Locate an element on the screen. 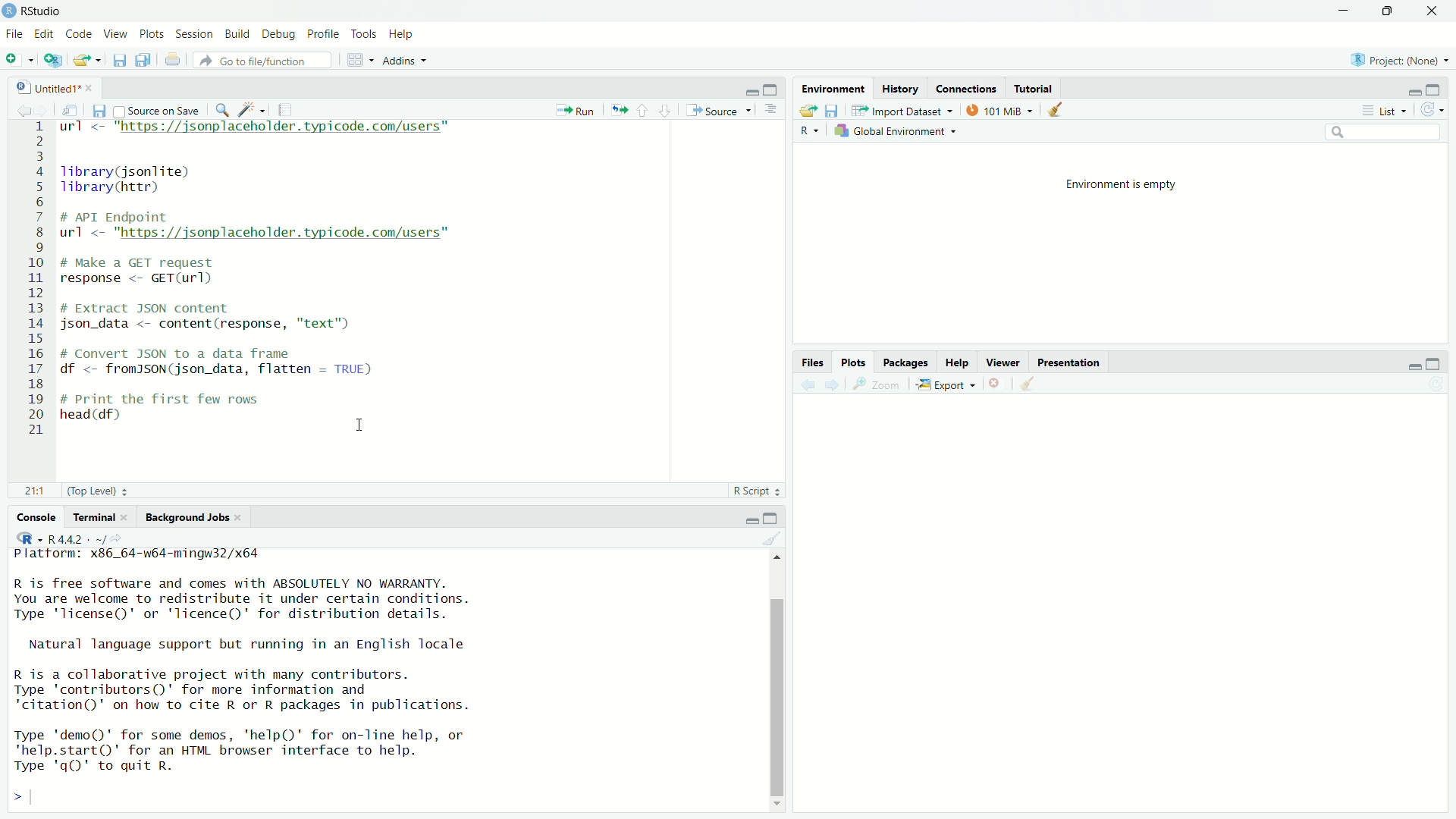  Platform: x86_64-w64-mingw32/x64 is located at coordinates (138, 557).